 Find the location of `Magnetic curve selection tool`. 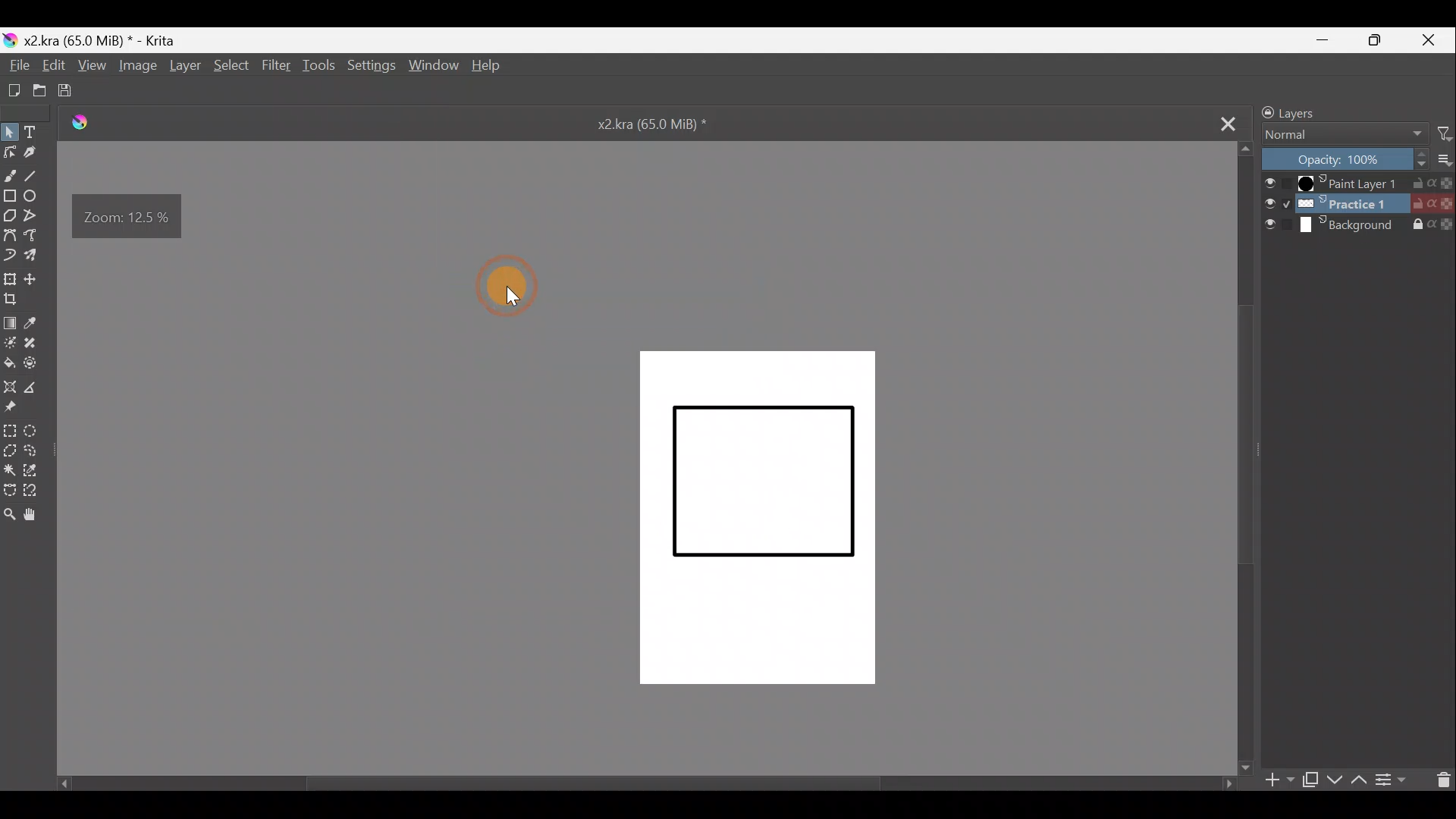

Magnetic curve selection tool is located at coordinates (43, 493).